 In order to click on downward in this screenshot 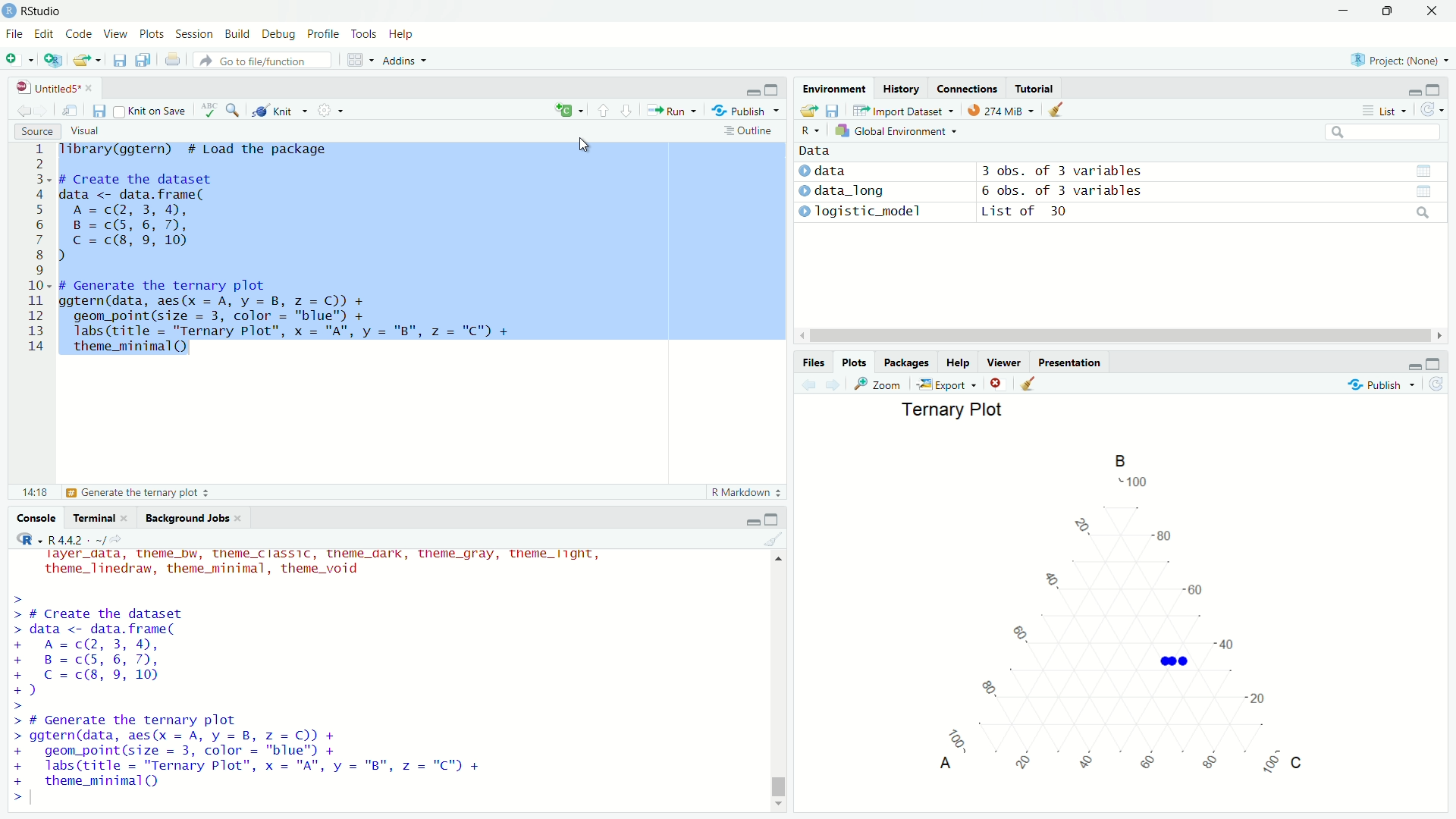, I will do `click(629, 111)`.